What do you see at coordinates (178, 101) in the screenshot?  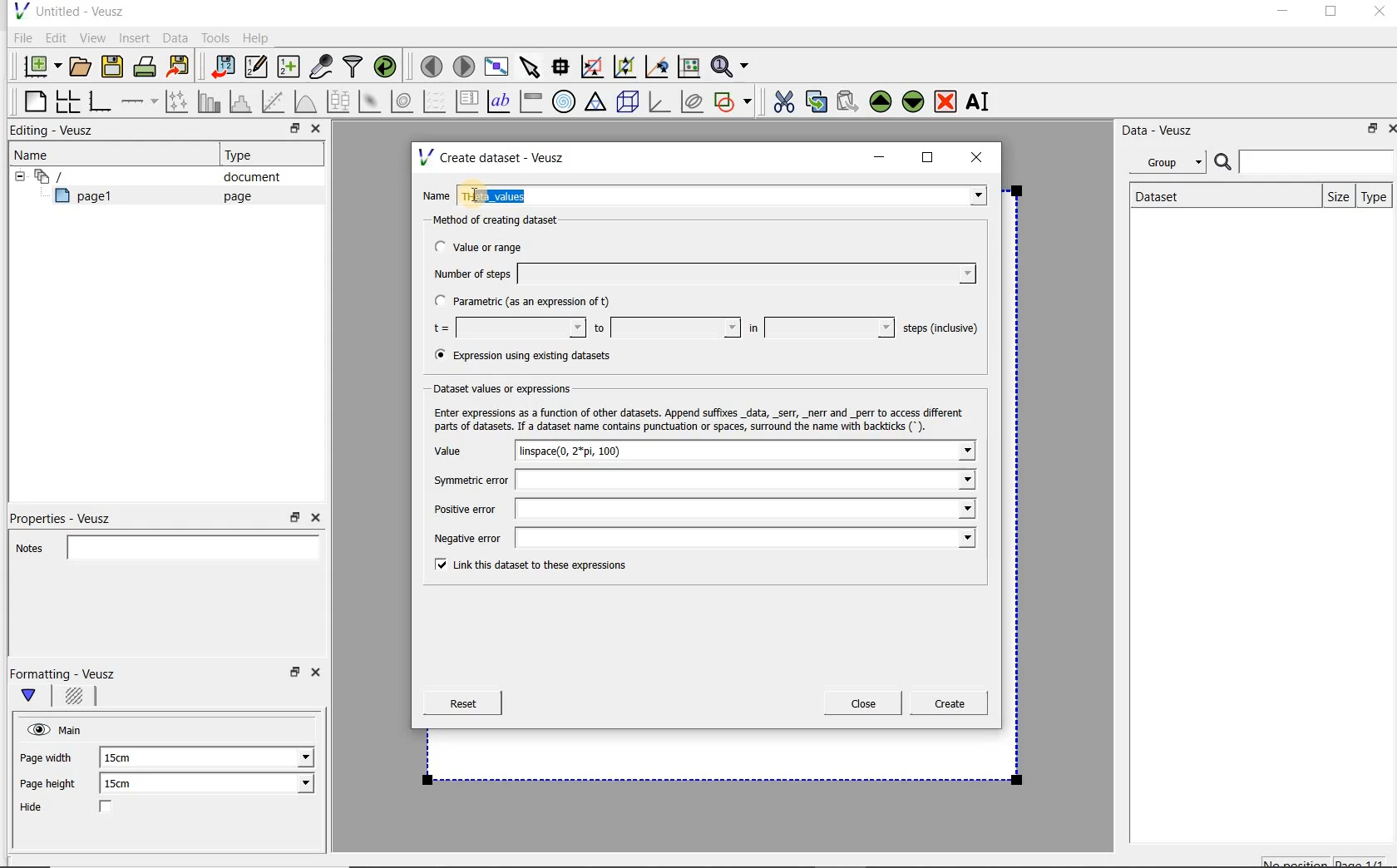 I see `Plot points with lines and error bars` at bounding box center [178, 101].